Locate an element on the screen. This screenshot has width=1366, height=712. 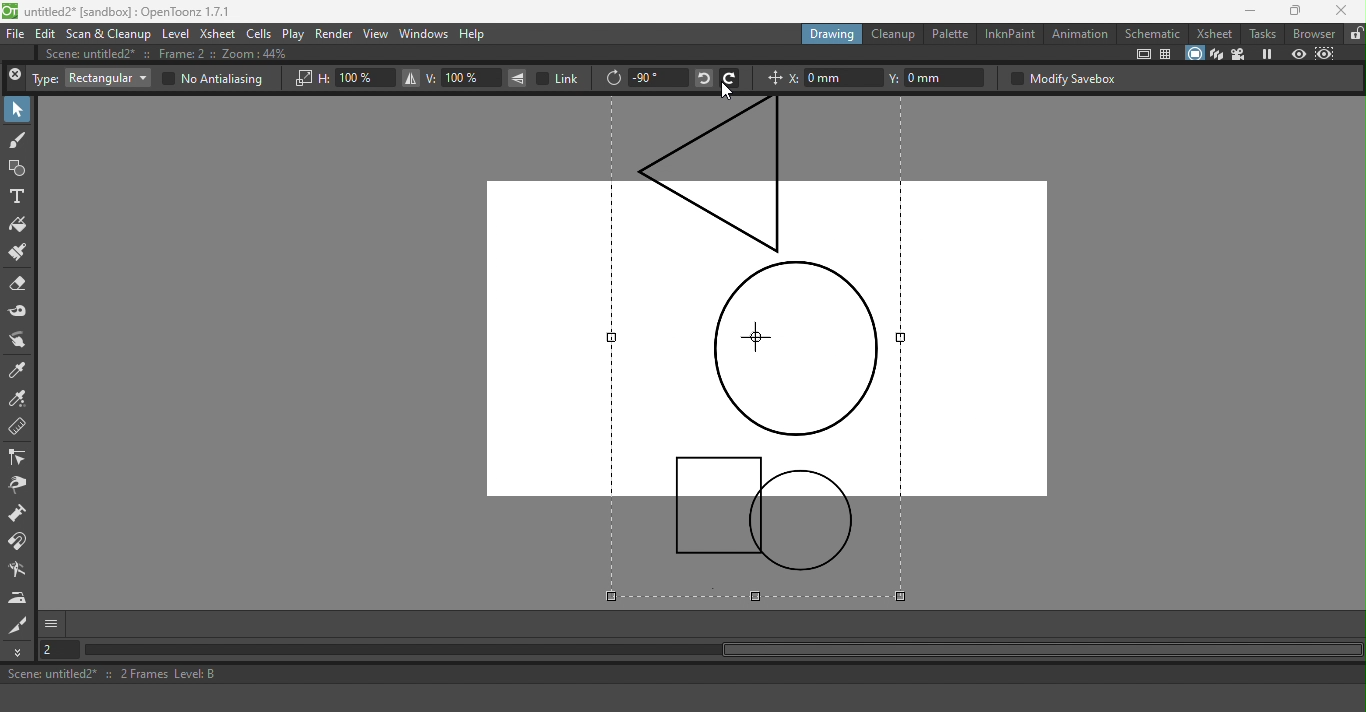
Paintbrush tool is located at coordinates (20, 253).